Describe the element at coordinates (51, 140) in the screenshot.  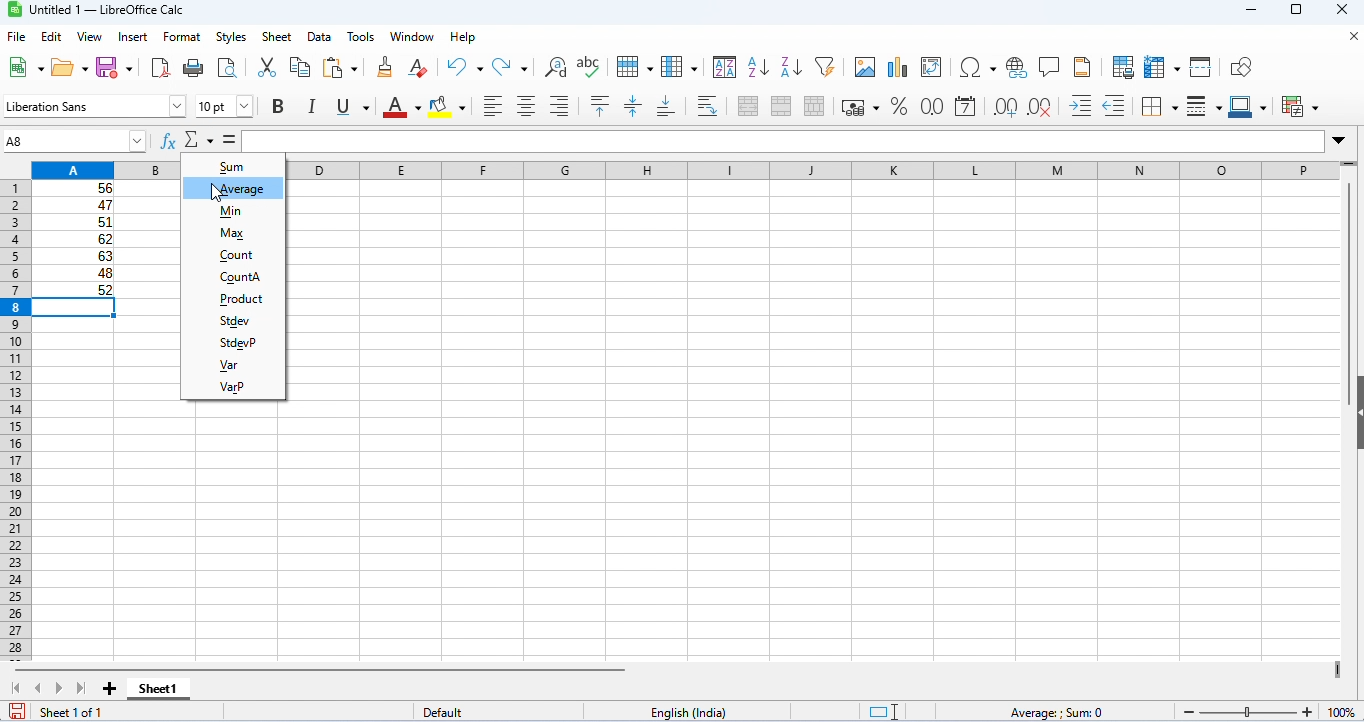
I see `selected cell number ` at that location.